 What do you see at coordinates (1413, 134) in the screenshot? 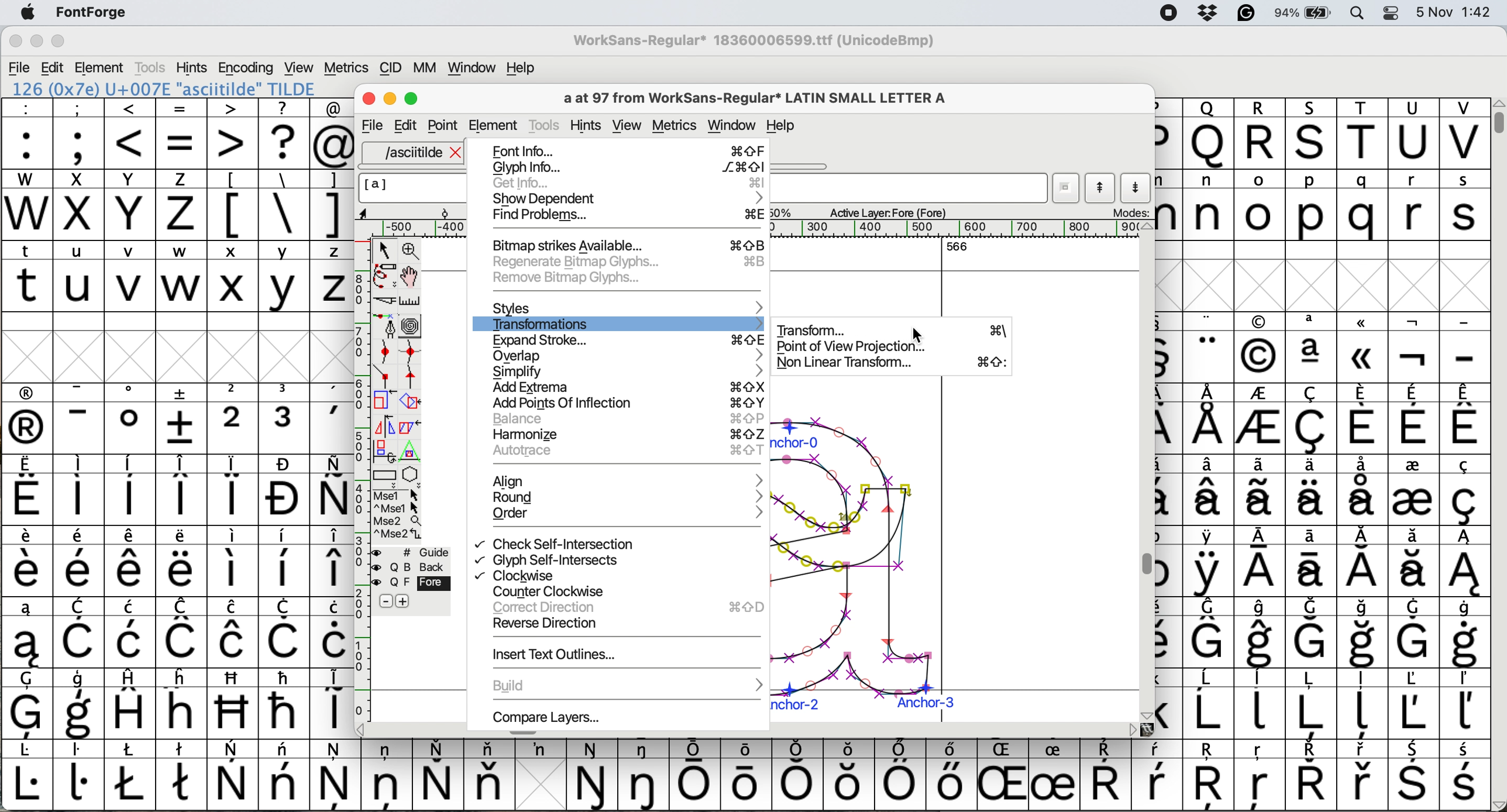
I see `U` at bounding box center [1413, 134].